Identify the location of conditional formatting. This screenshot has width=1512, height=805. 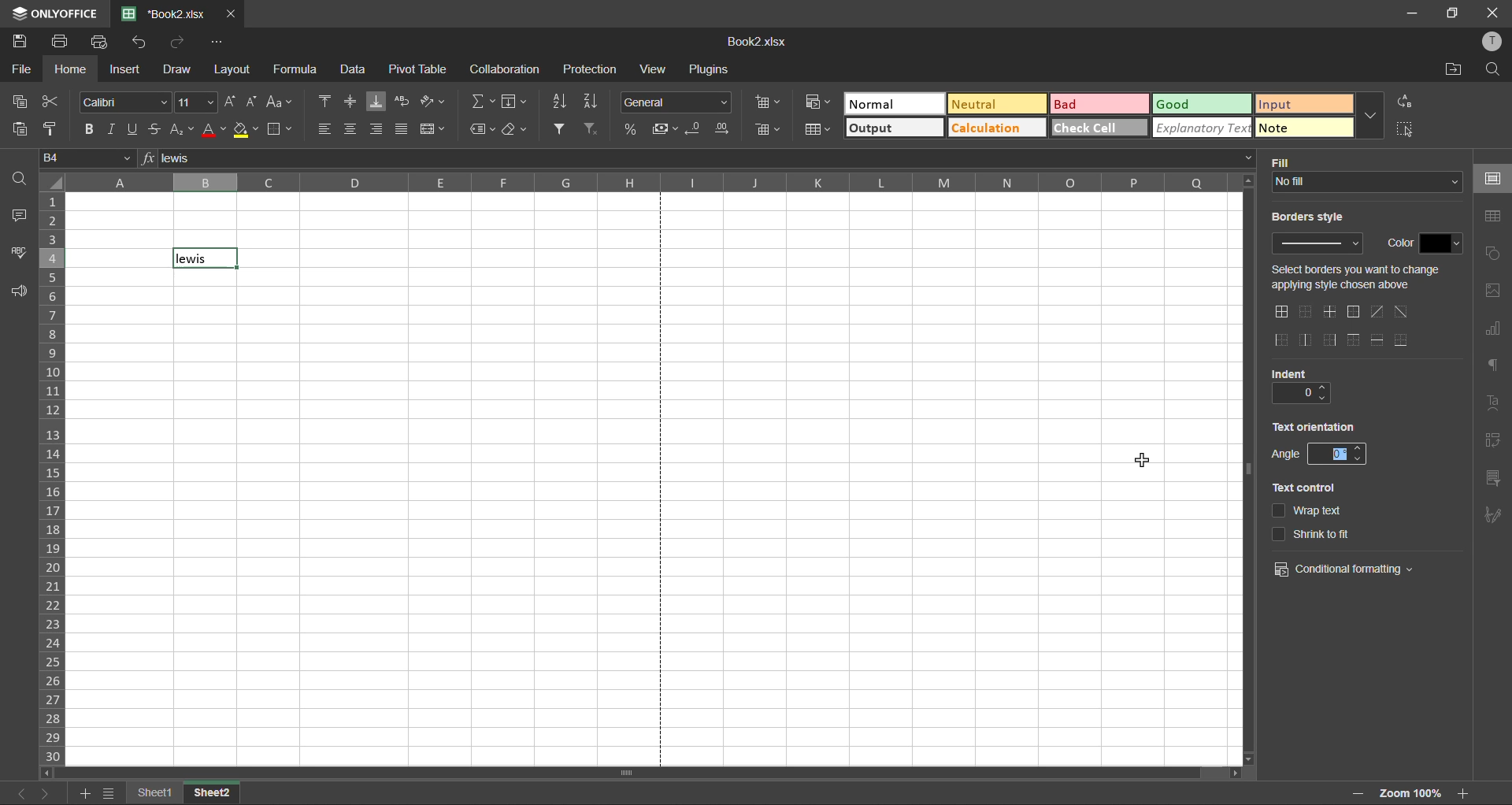
(817, 102).